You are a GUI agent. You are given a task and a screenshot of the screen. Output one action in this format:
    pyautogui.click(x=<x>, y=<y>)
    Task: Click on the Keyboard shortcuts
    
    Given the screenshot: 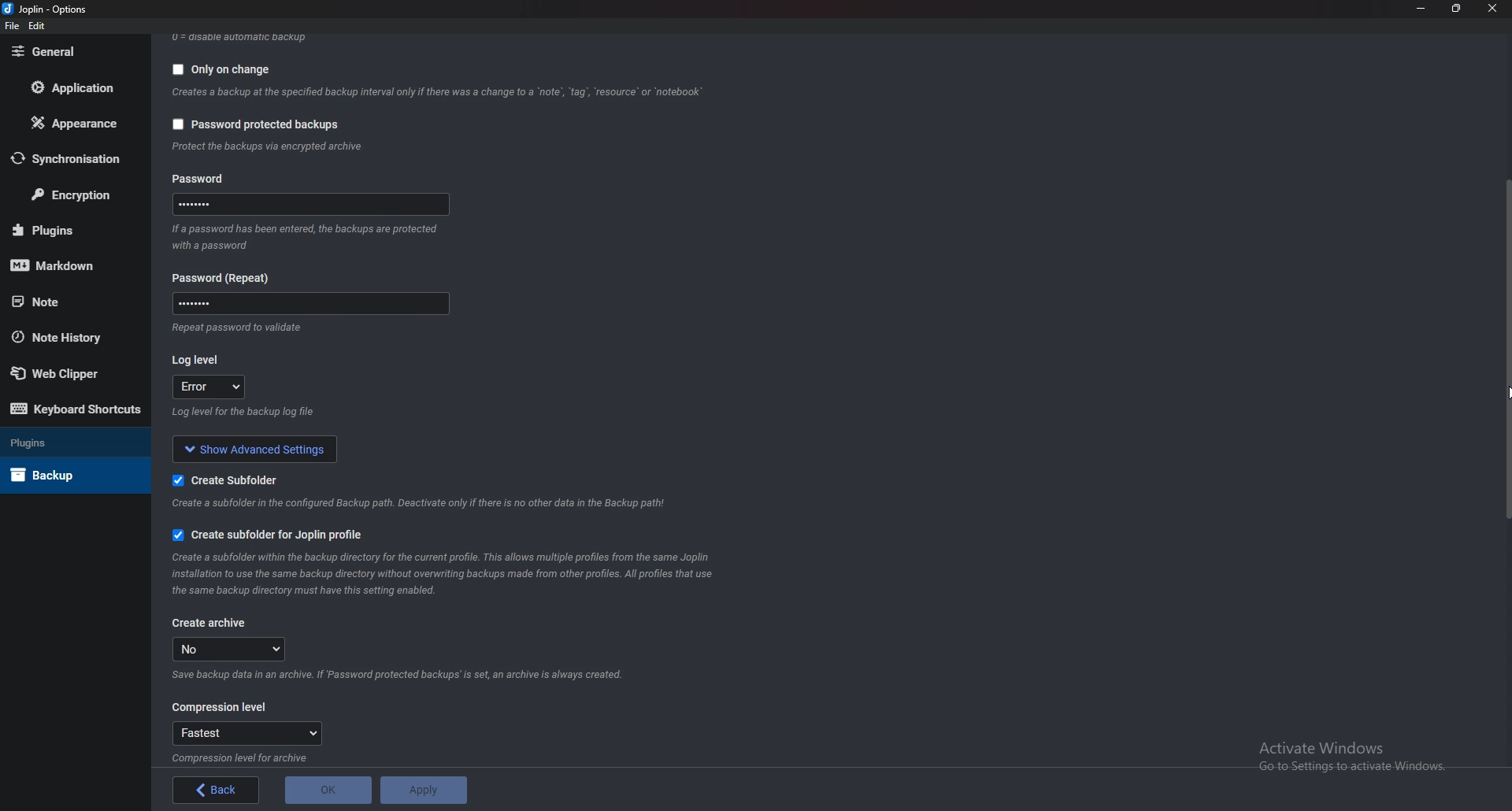 What is the action you would take?
    pyautogui.click(x=72, y=409)
    